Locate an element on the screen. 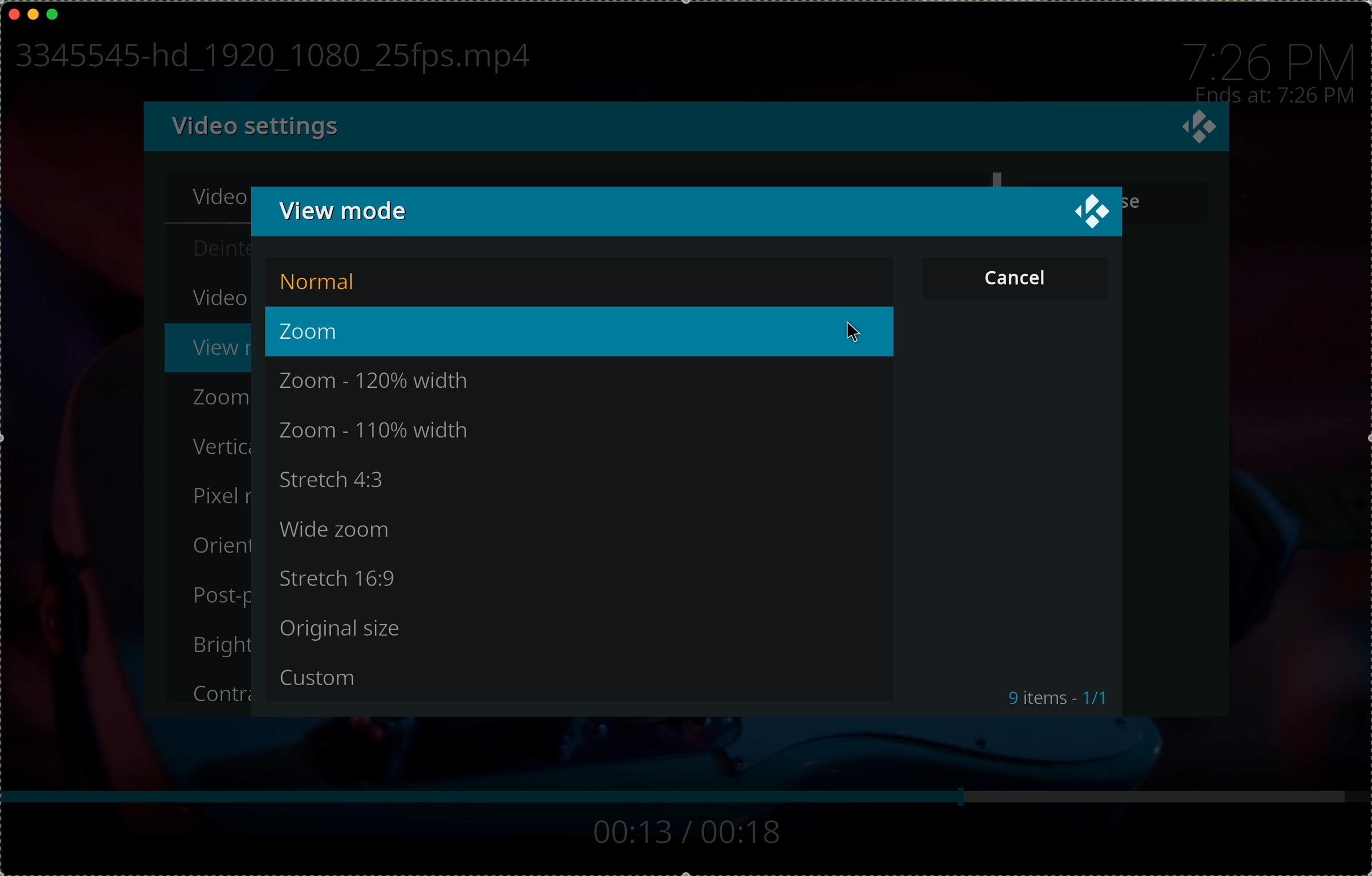 The image size is (1372, 876). cursor is located at coordinates (859, 334).